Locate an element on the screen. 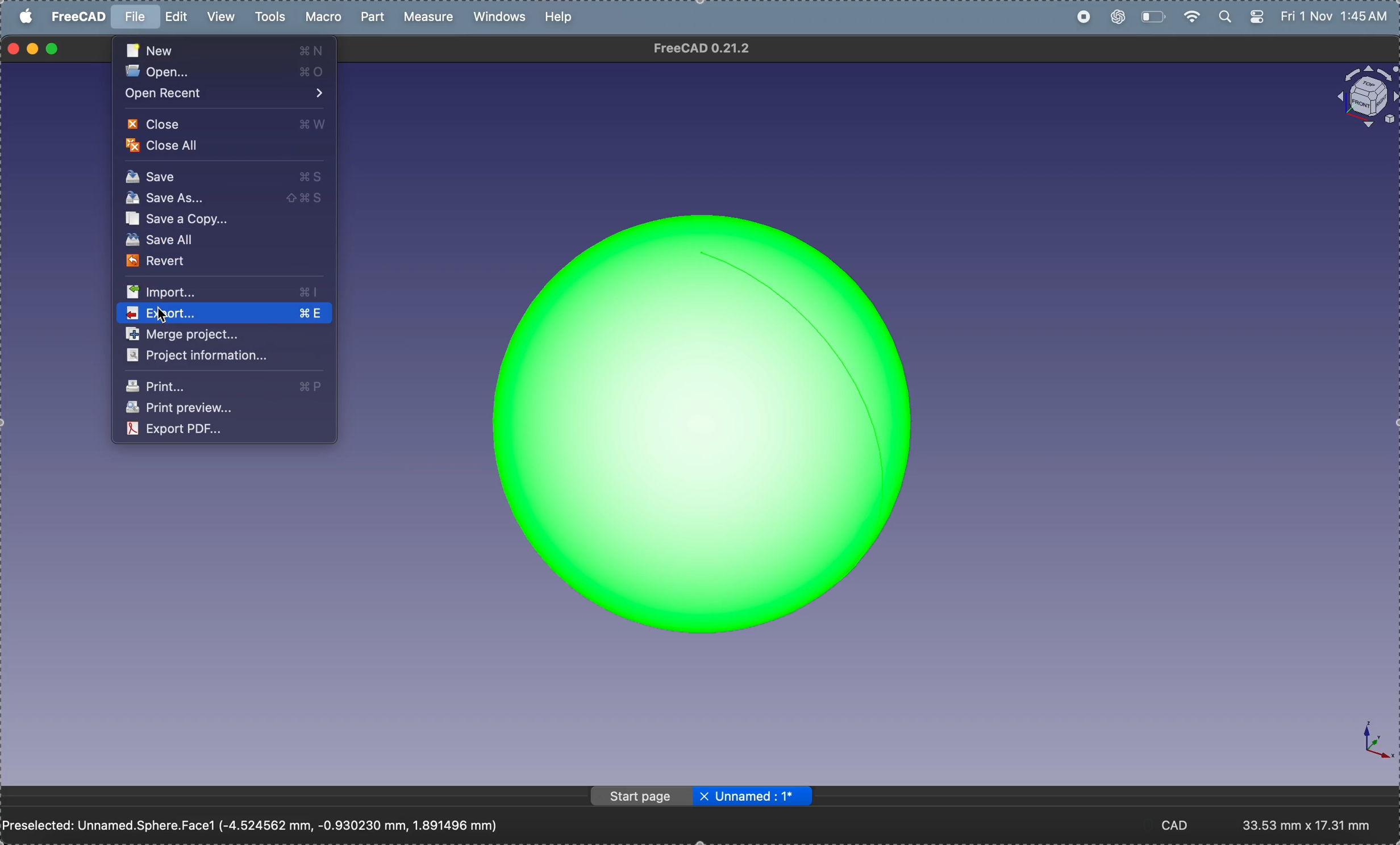 The width and height of the screenshot is (1400, 845). aspect ratio- 33:53mm x 17.31mm is located at coordinates (1315, 825).